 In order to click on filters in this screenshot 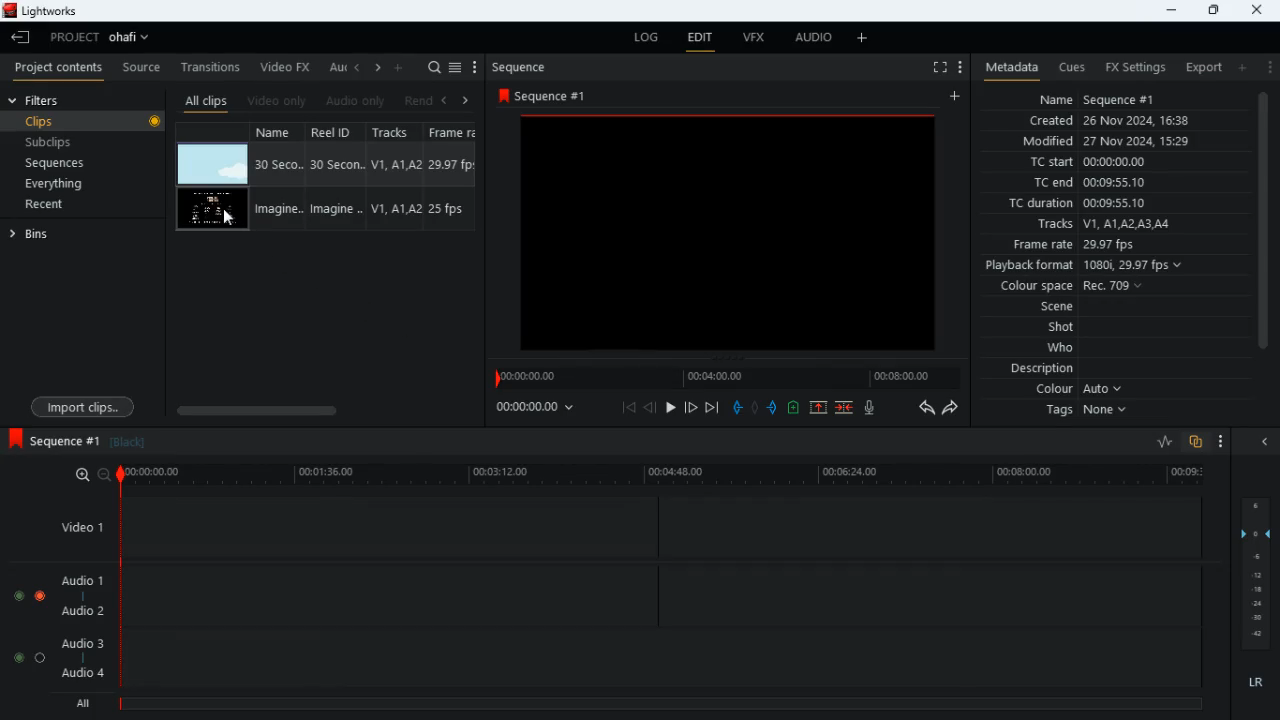, I will do `click(38, 100)`.